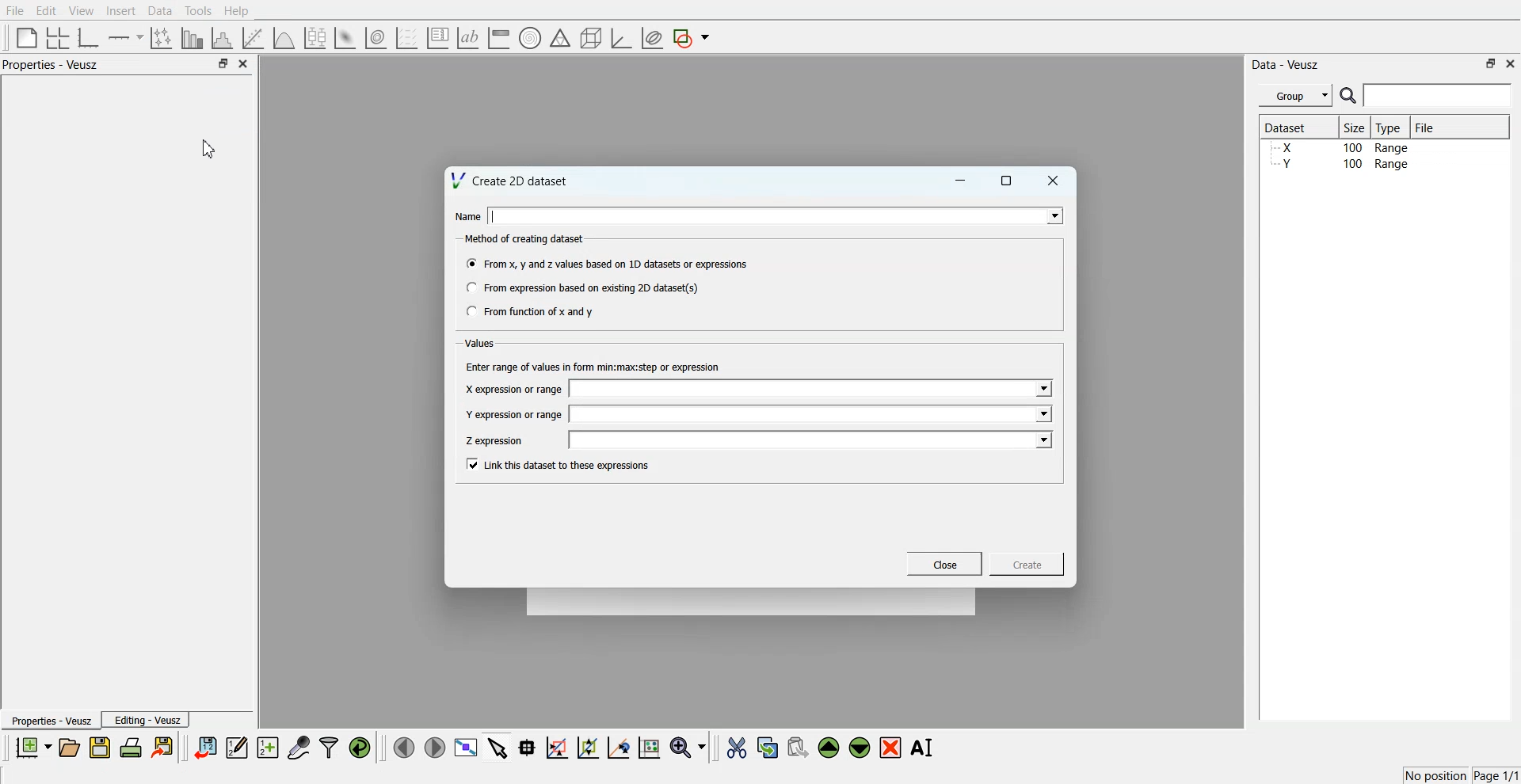  What do you see at coordinates (375, 38) in the screenshot?
I see `3D Volume` at bounding box center [375, 38].